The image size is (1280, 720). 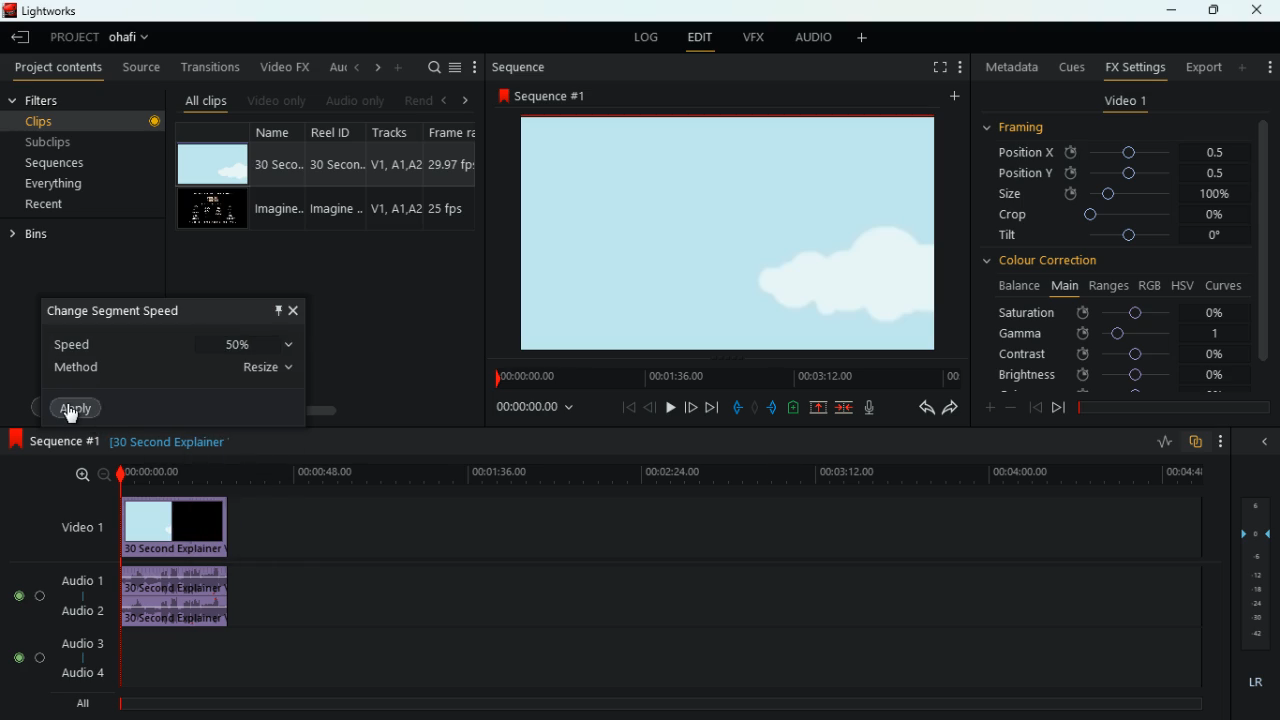 What do you see at coordinates (1115, 237) in the screenshot?
I see `` at bounding box center [1115, 237].